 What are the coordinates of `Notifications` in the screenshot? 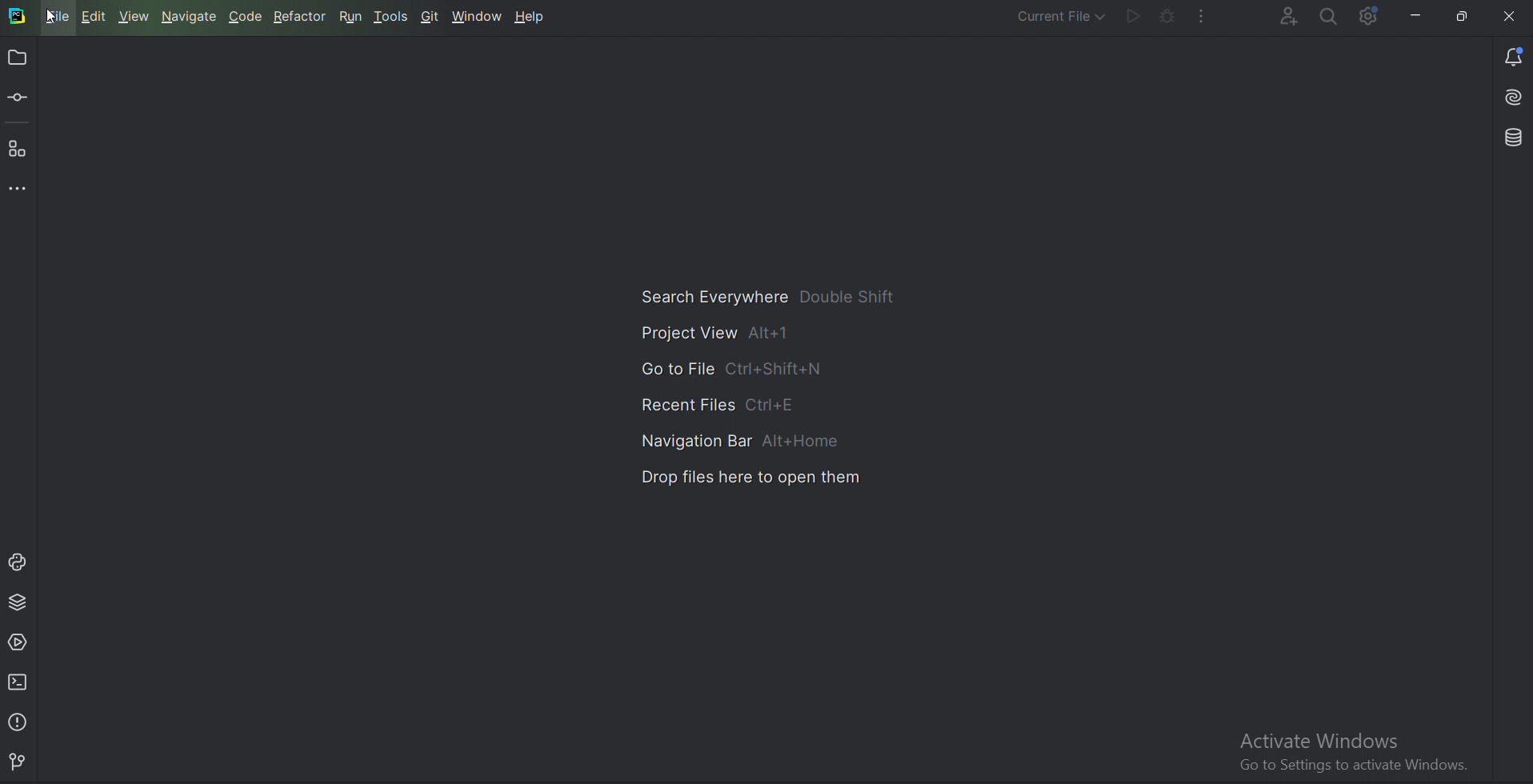 It's located at (1509, 55).